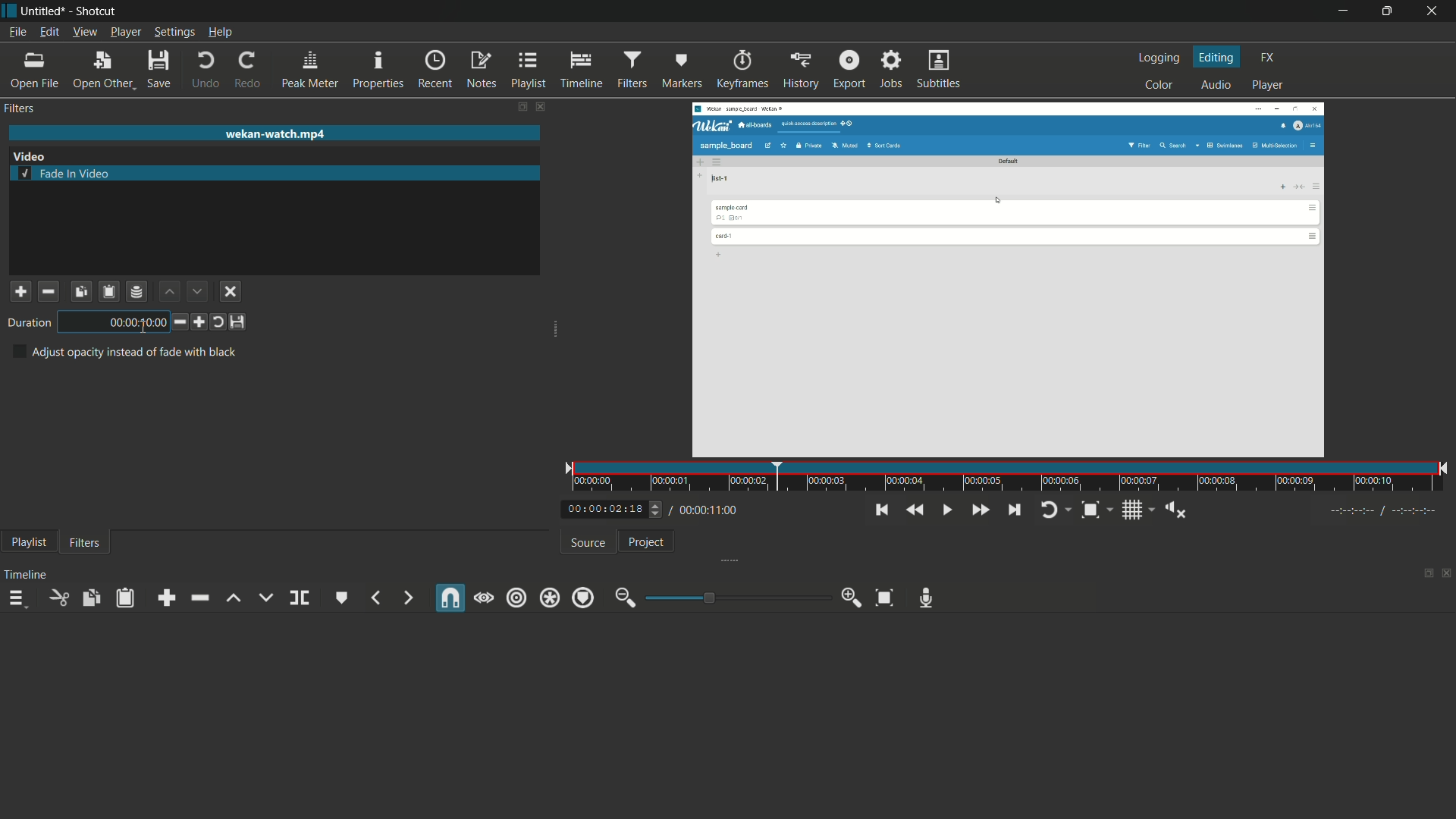 This screenshot has width=1456, height=819. Describe the element at coordinates (555, 331) in the screenshot. I see `expand` at that location.